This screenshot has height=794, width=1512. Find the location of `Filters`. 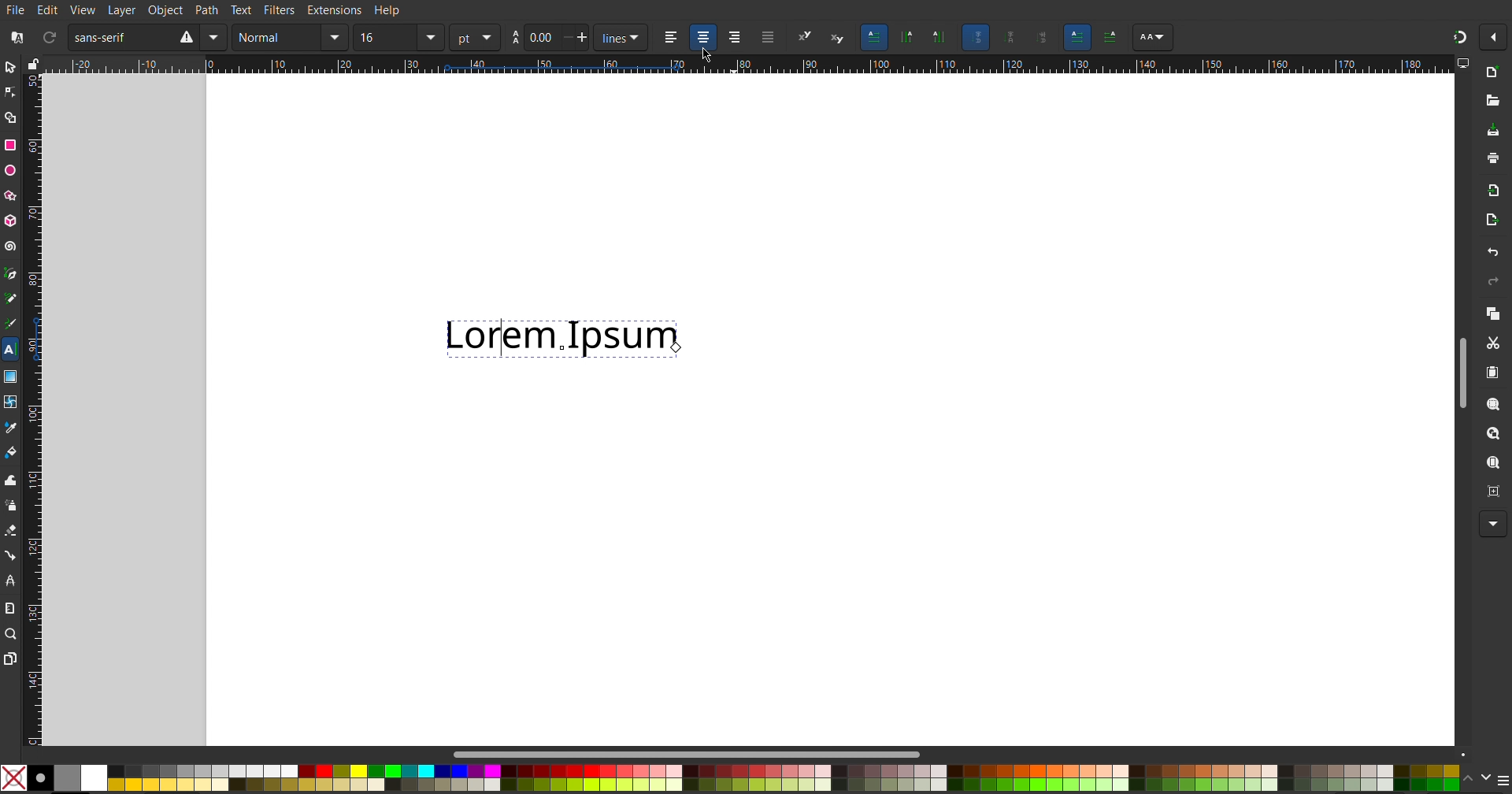

Filters is located at coordinates (277, 11).